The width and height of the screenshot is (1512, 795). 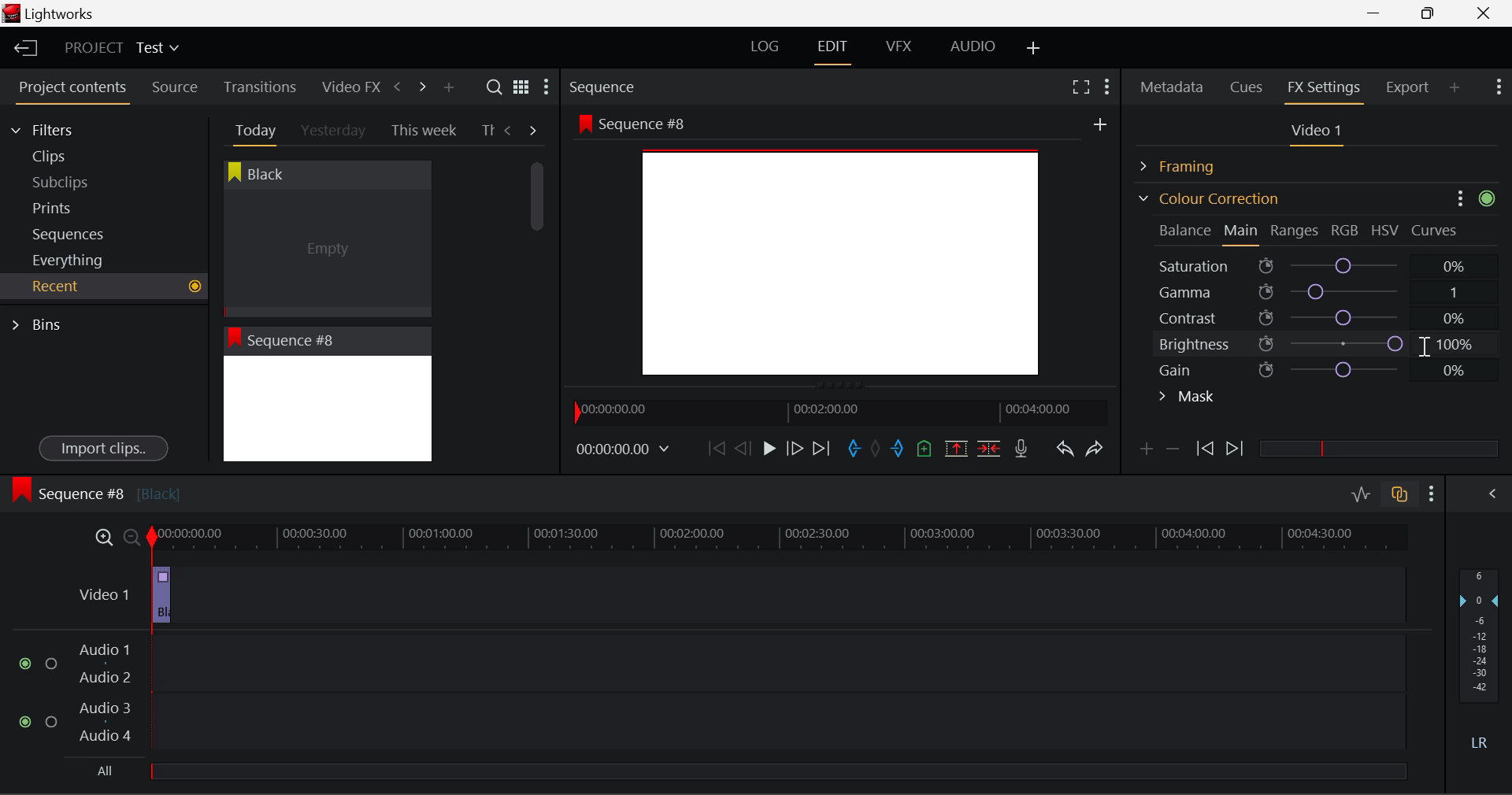 What do you see at coordinates (487, 129) in the screenshot?
I see `Th` at bounding box center [487, 129].